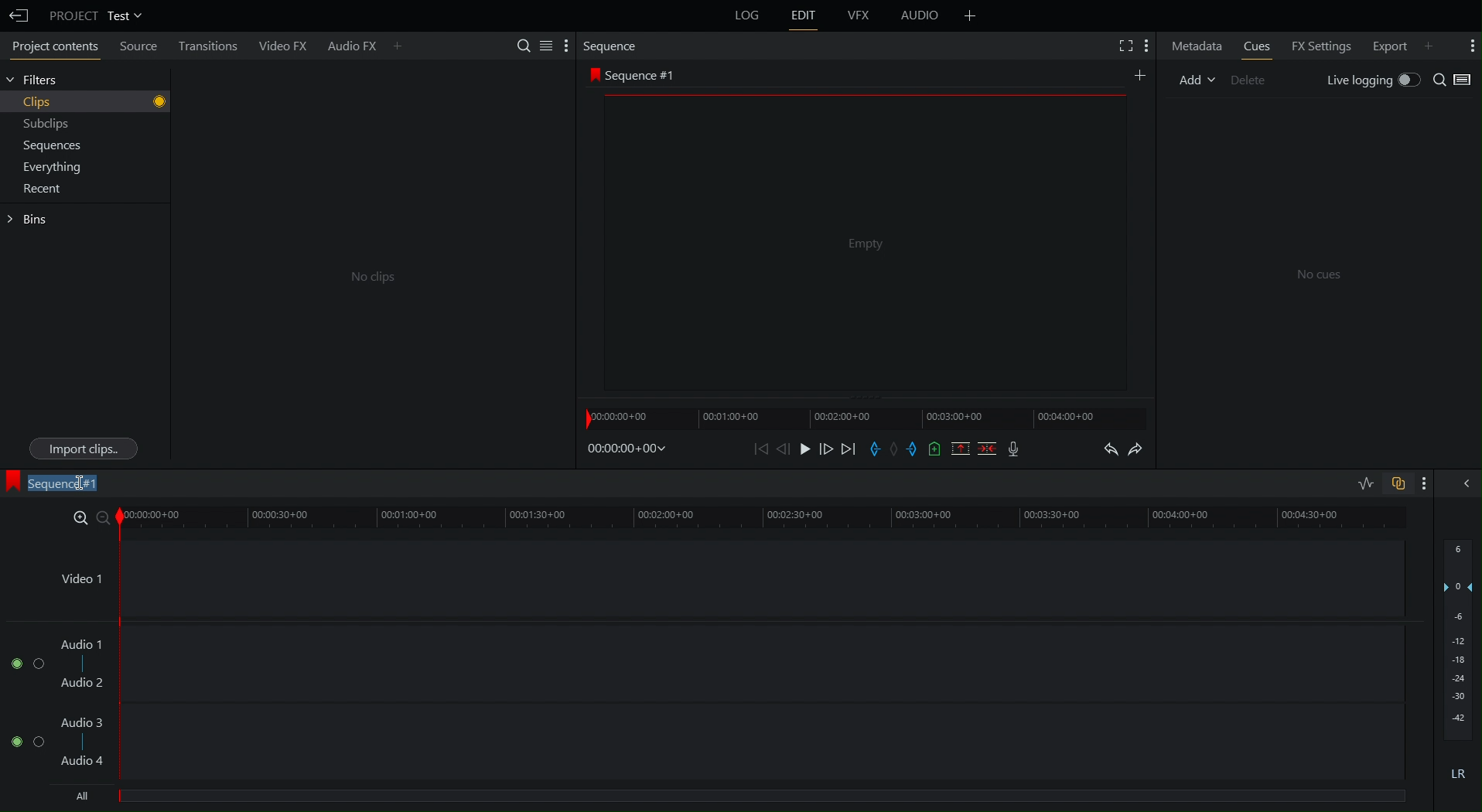 This screenshot has width=1482, height=812. What do you see at coordinates (84, 682) in the screenshot?
I see `Audio 2` at bounding box center [84, 682].